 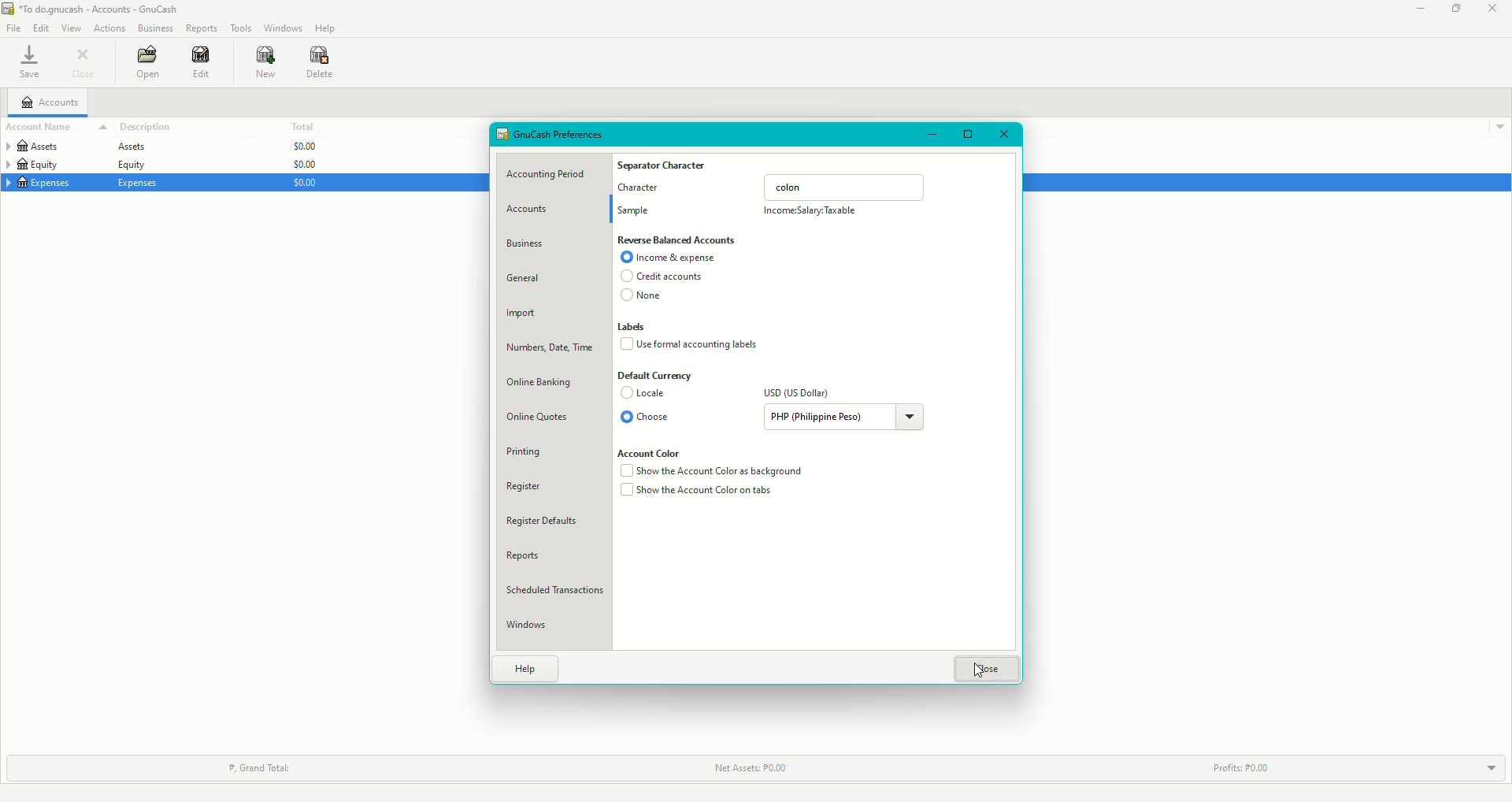 I want to click on Business, so click(x=155, y=27).